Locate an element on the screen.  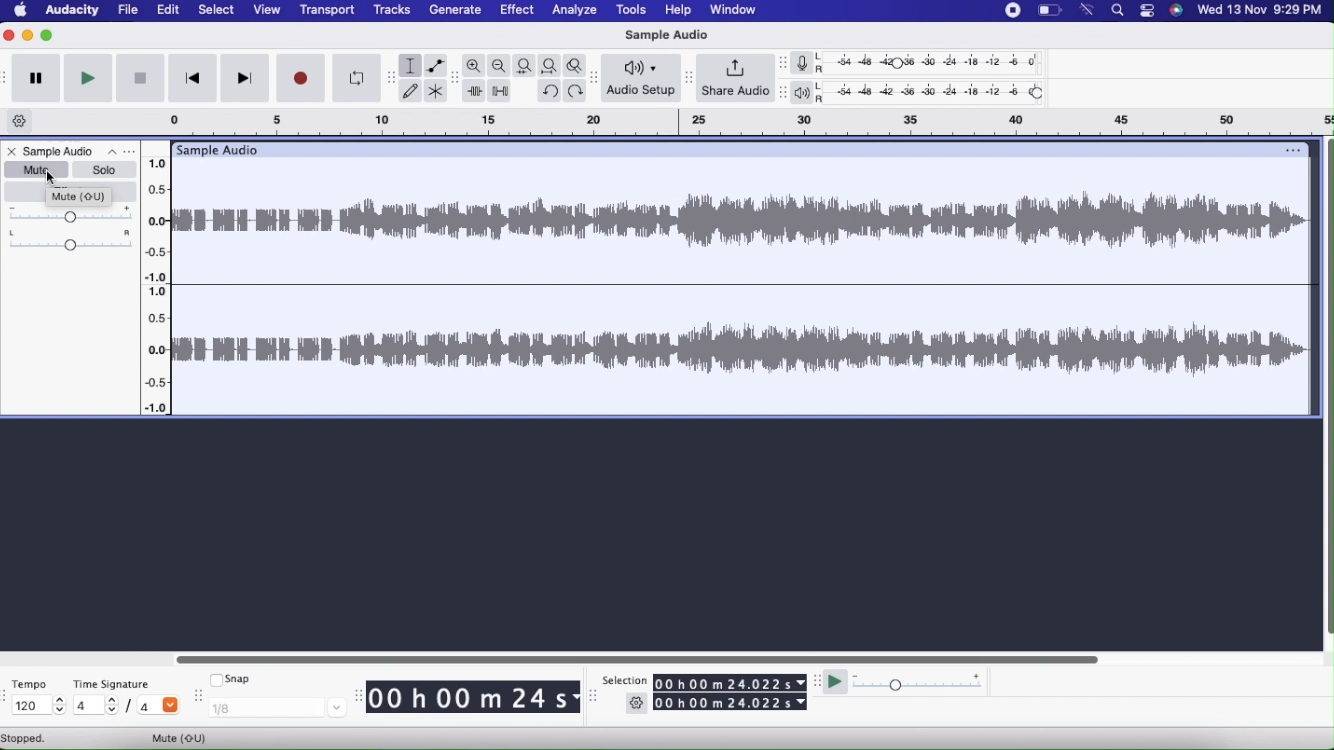
Cursor is located at coordinates (51, 177).